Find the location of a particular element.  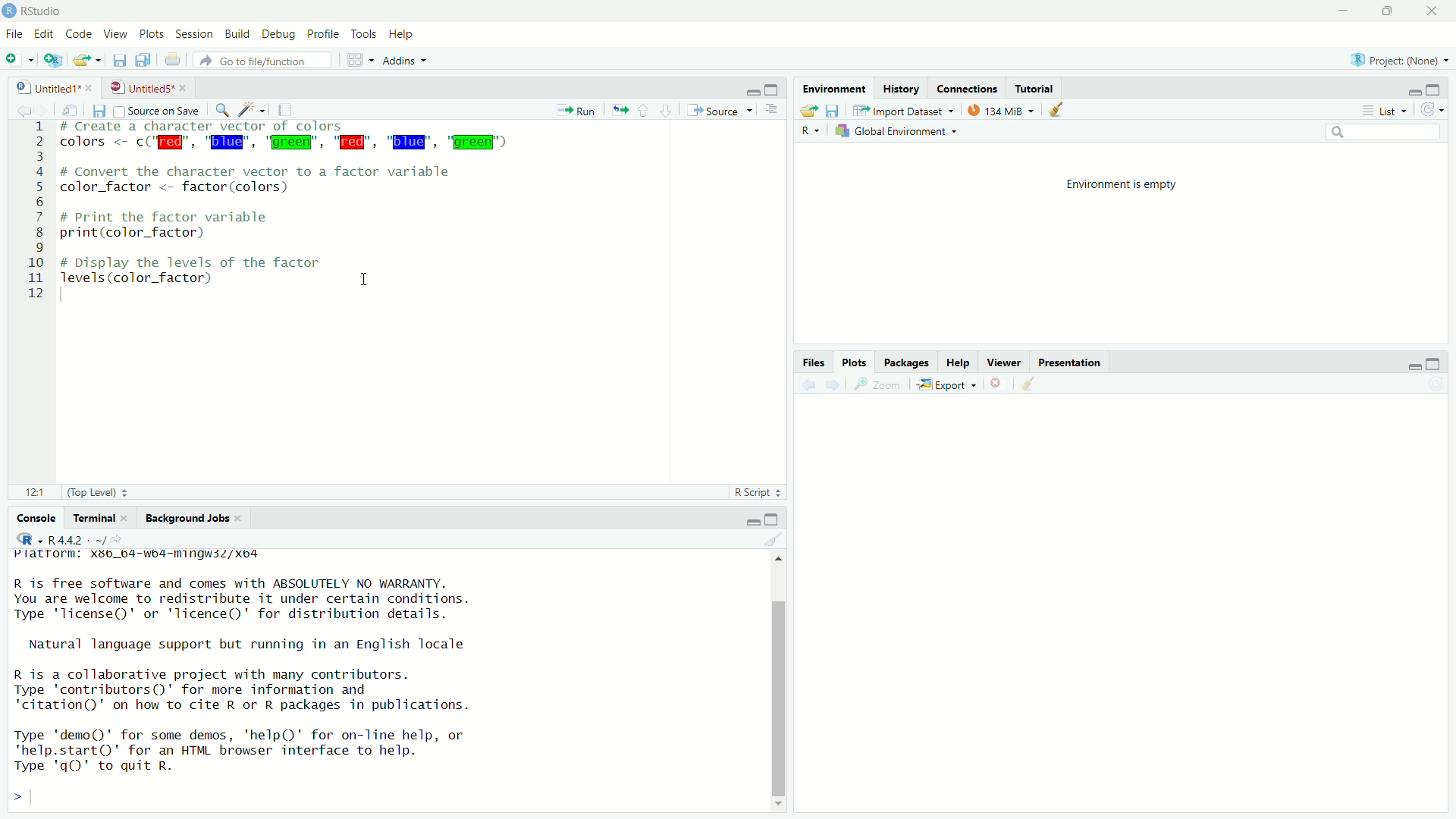

hide document outline is located at coordinates (771, 109).